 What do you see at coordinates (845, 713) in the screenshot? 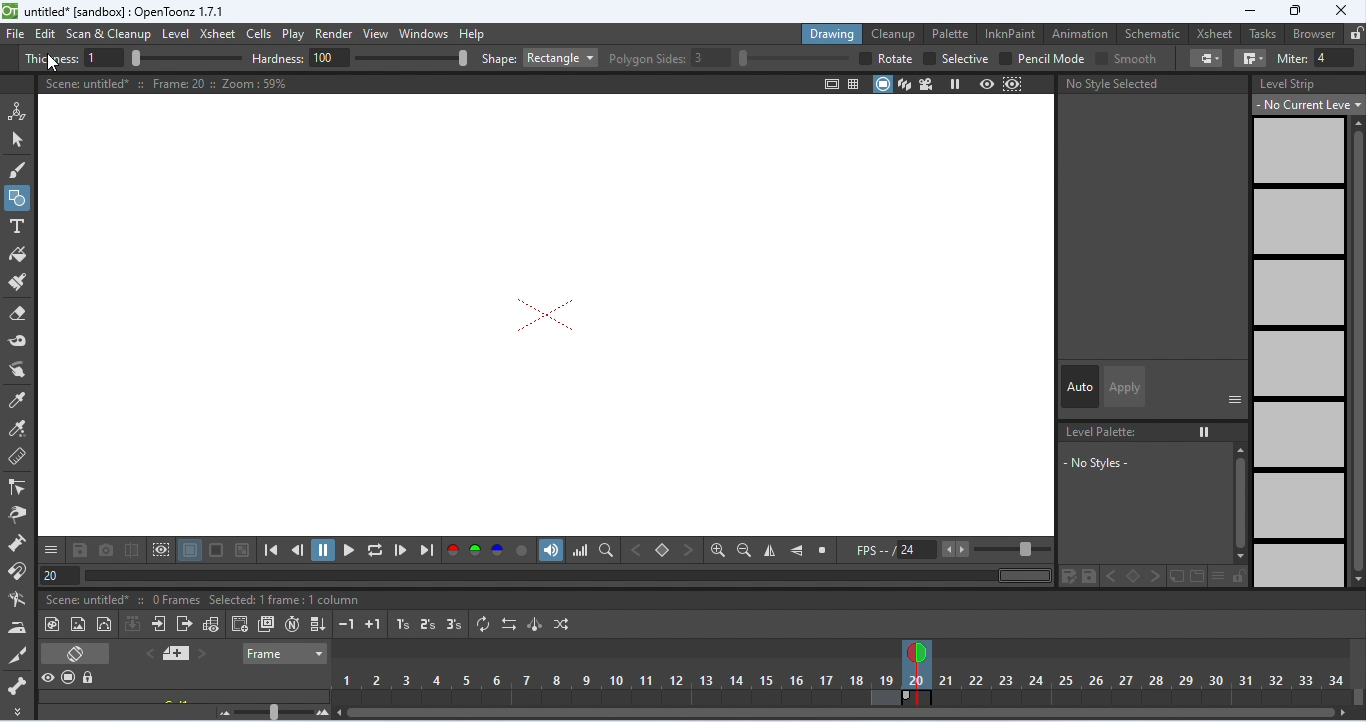
I see `horizontal scroll bar` at bounding box center [845, 713].